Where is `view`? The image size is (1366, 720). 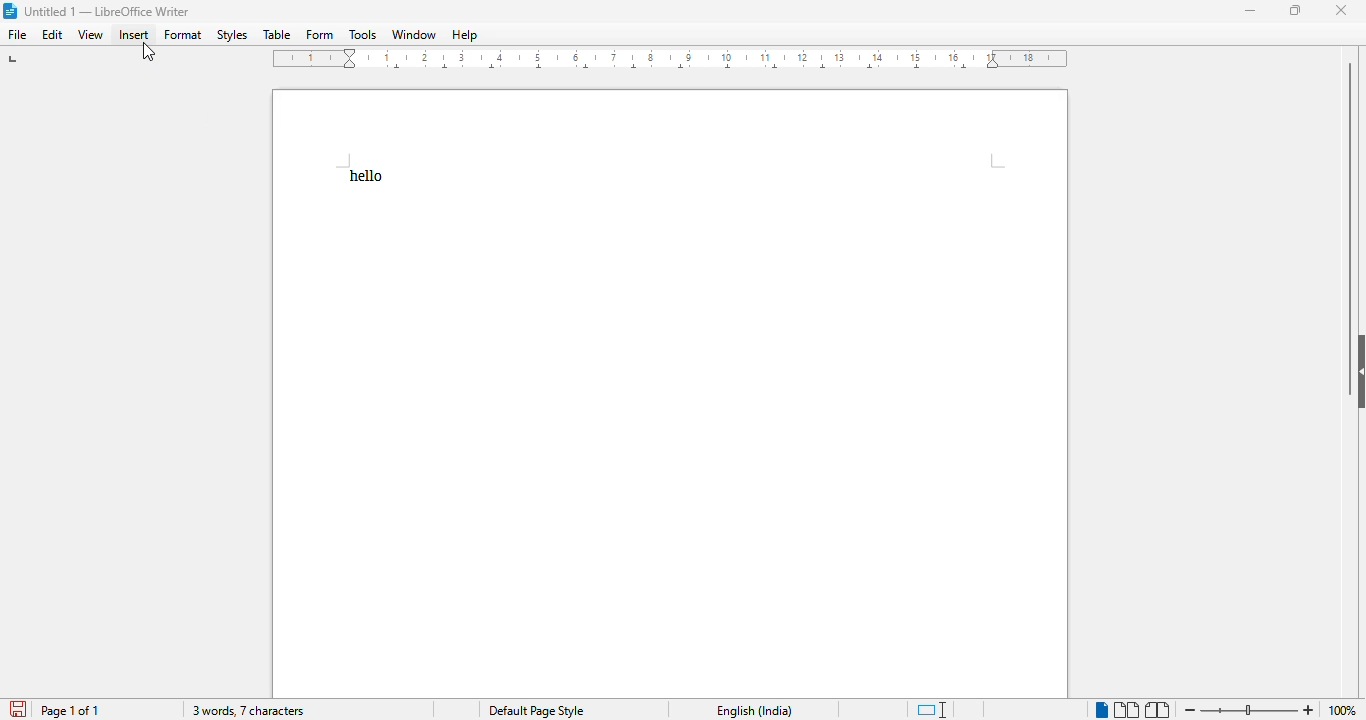
view is located at coordinates (90, 35).